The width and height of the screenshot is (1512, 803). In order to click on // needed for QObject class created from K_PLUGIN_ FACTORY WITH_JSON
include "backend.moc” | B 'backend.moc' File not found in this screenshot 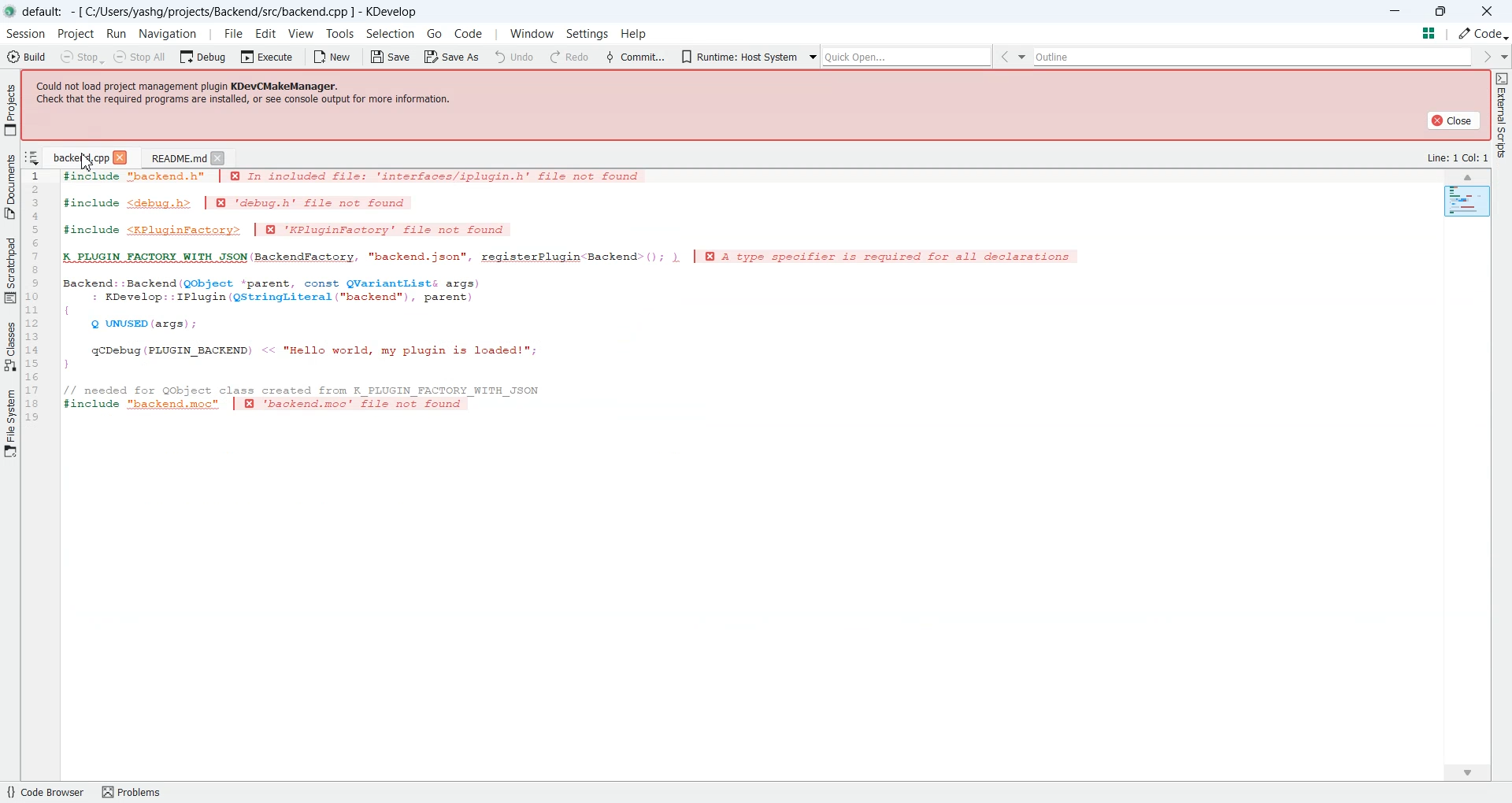, I will do `click(306, 399)`.